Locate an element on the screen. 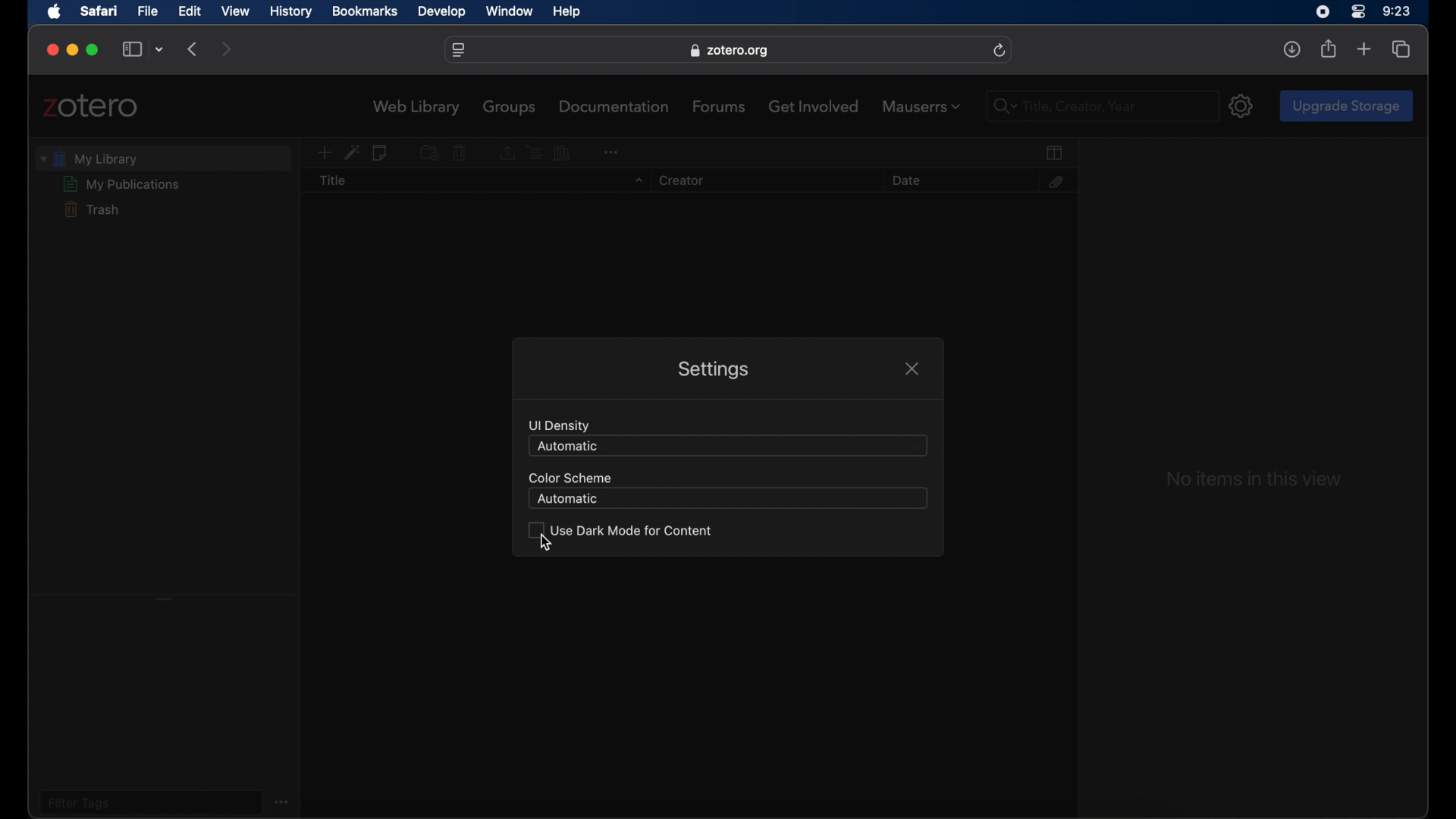 This screenshot has height=819, width=1456. creator is located at coordinates (679, 181).